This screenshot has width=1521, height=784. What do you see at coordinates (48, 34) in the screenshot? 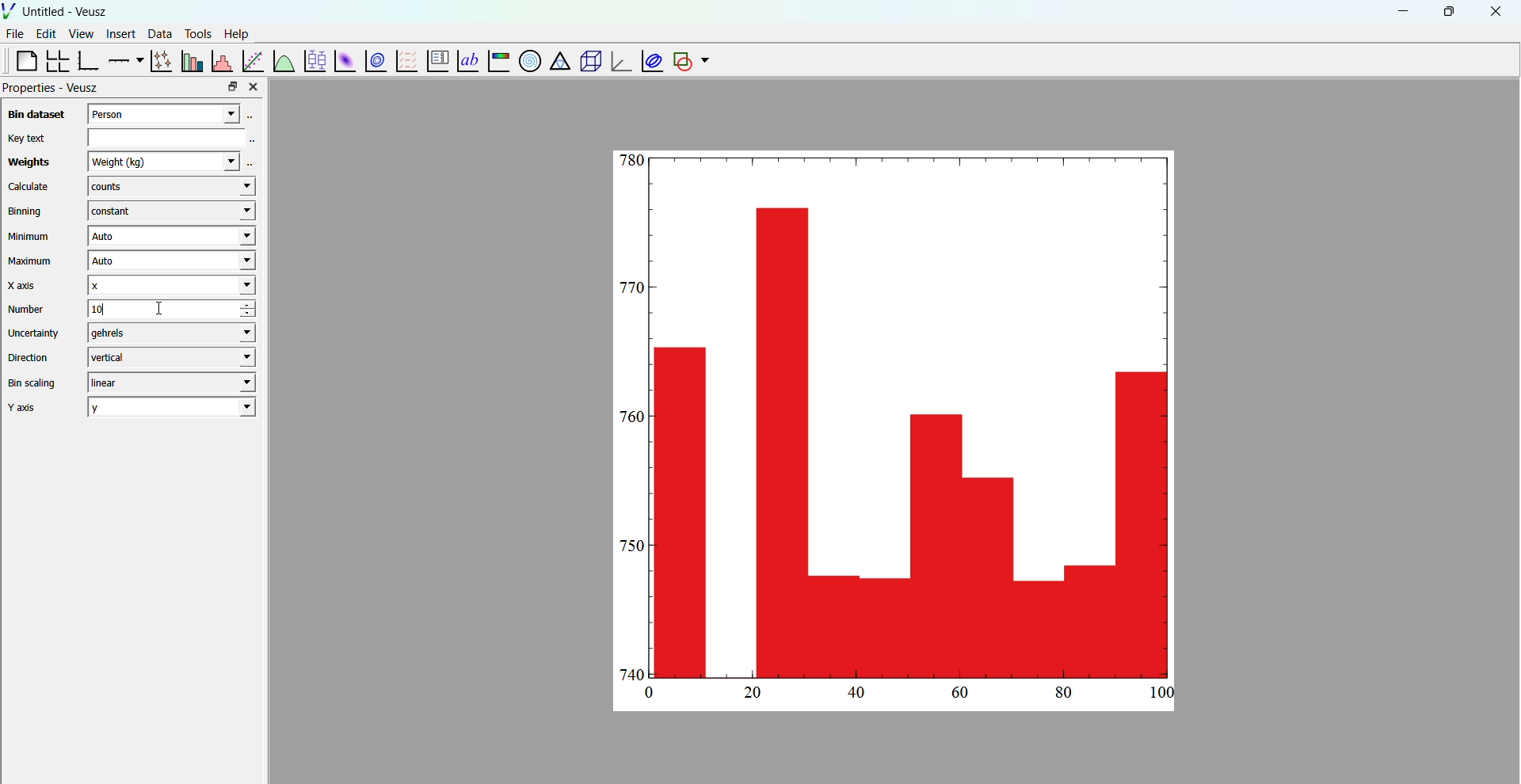
I see `edit` at bounding box center [48, 34].